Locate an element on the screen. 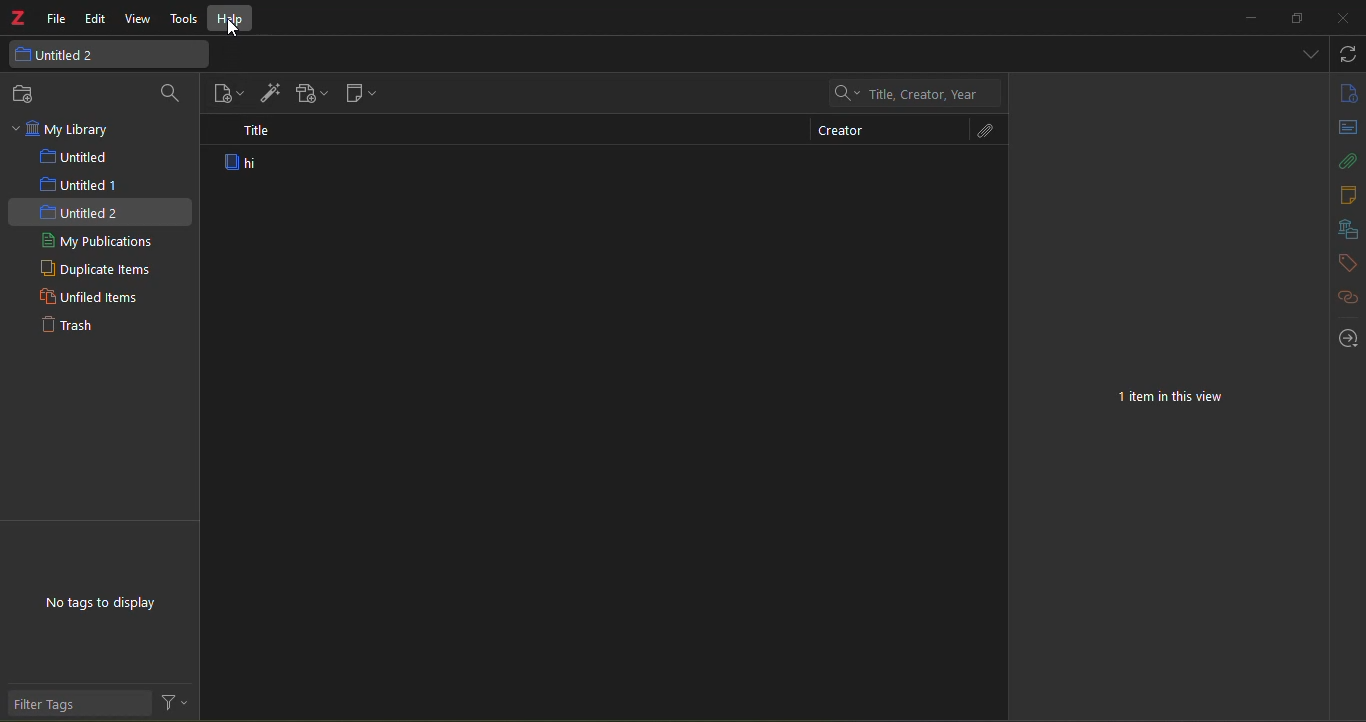 The height and width of the screenshot is (722, 1366). unfiled items is located at coordinates (89, 297).